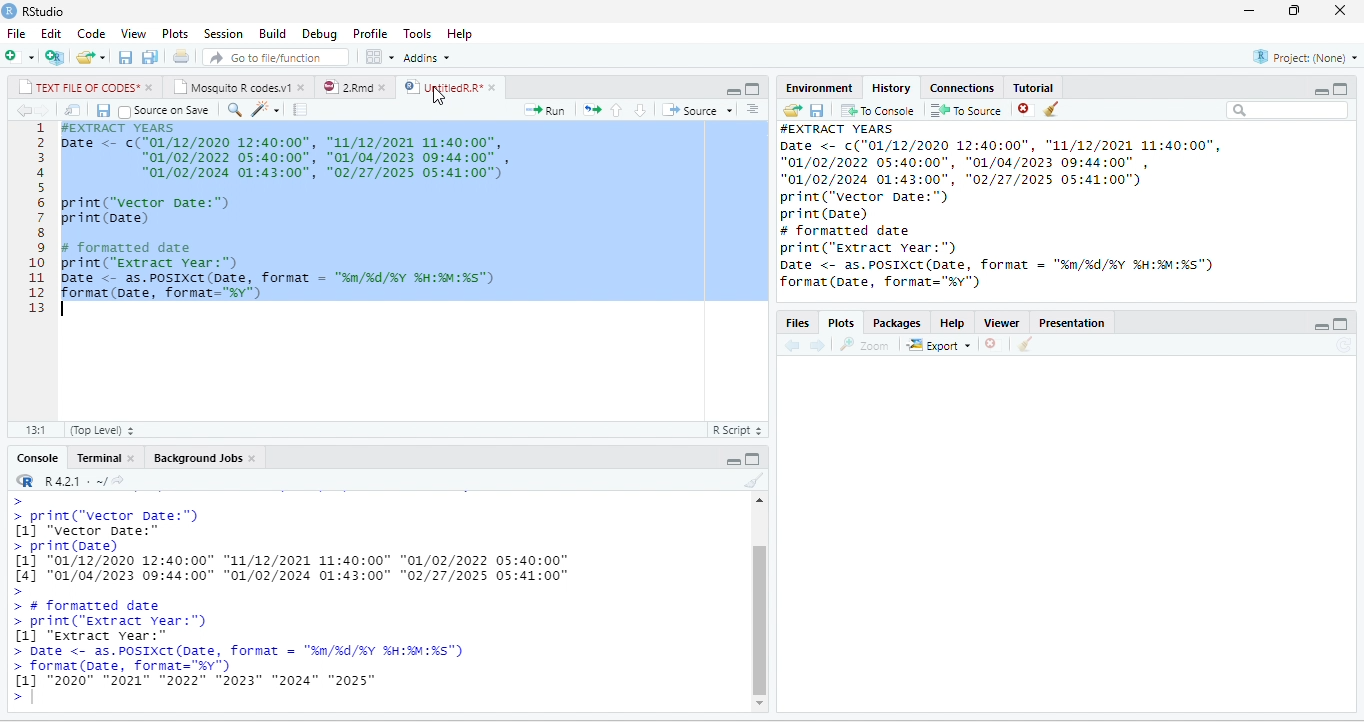 The width and height of the screenshot is (1364, 722). Describe the element at coordinates (964, 109) in the screenshot. I see `To source` at that location.